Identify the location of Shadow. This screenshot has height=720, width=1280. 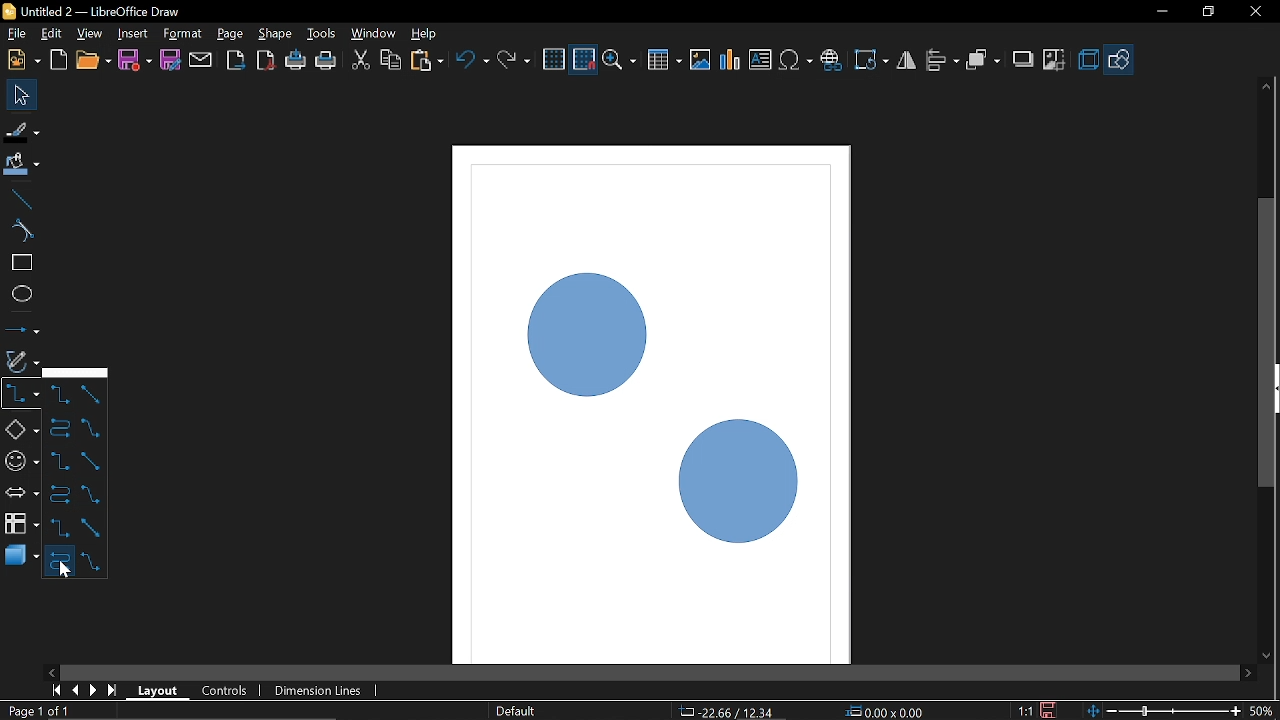
(1022, 60).